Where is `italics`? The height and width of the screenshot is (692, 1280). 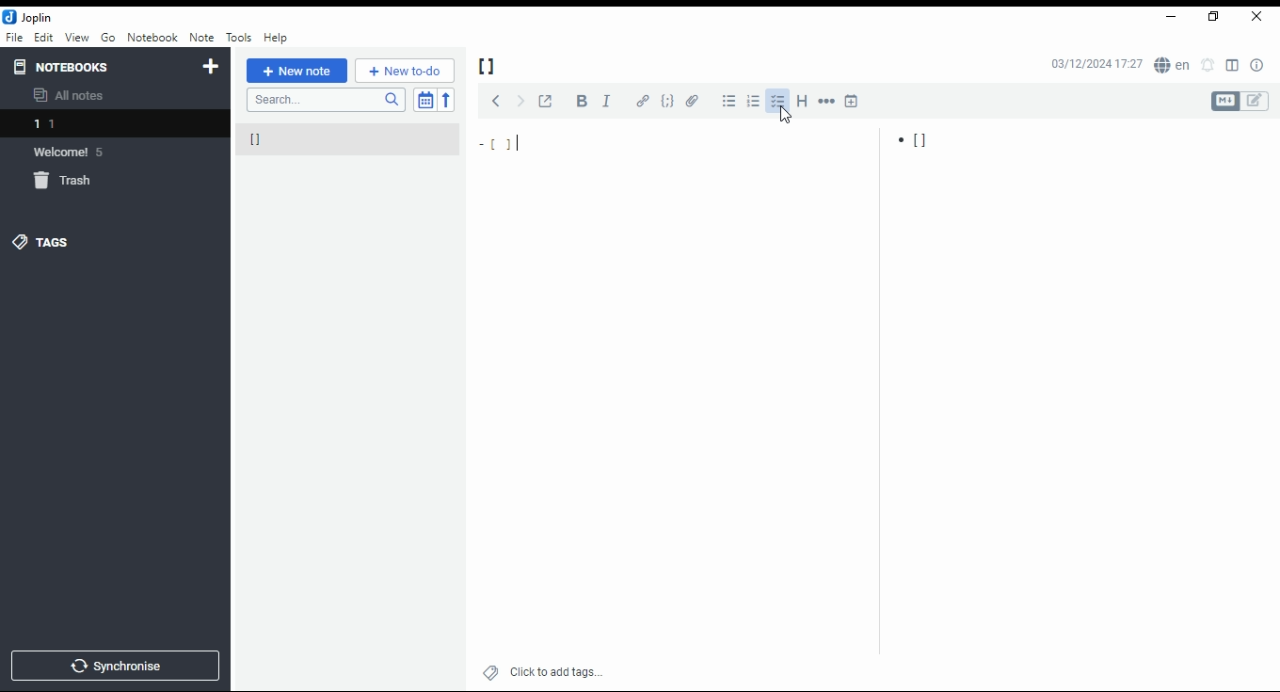
italics is located at coordinates (606, 101).